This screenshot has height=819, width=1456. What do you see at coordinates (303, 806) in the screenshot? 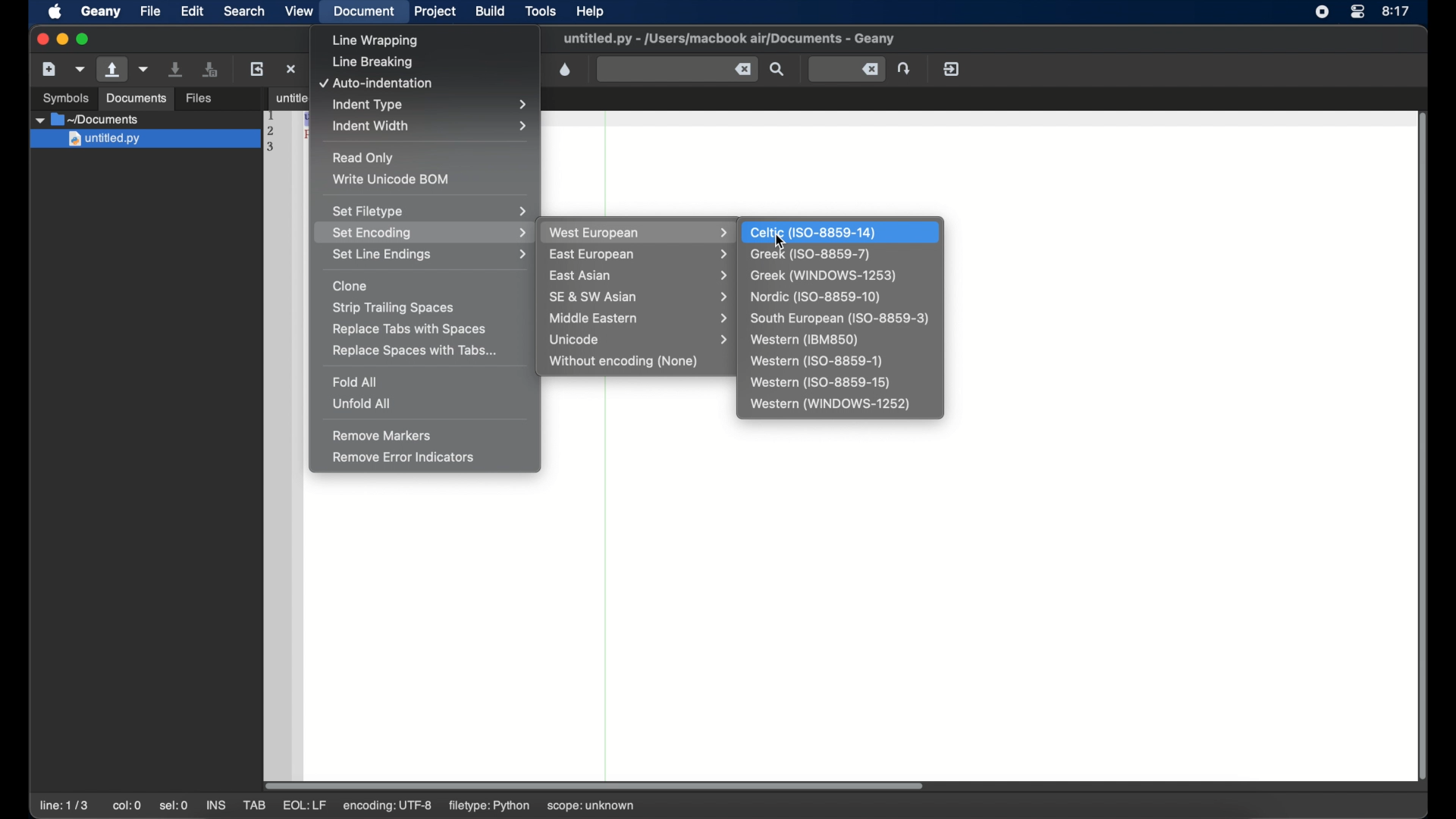
I see `mod` at bounding box center [303, 806].